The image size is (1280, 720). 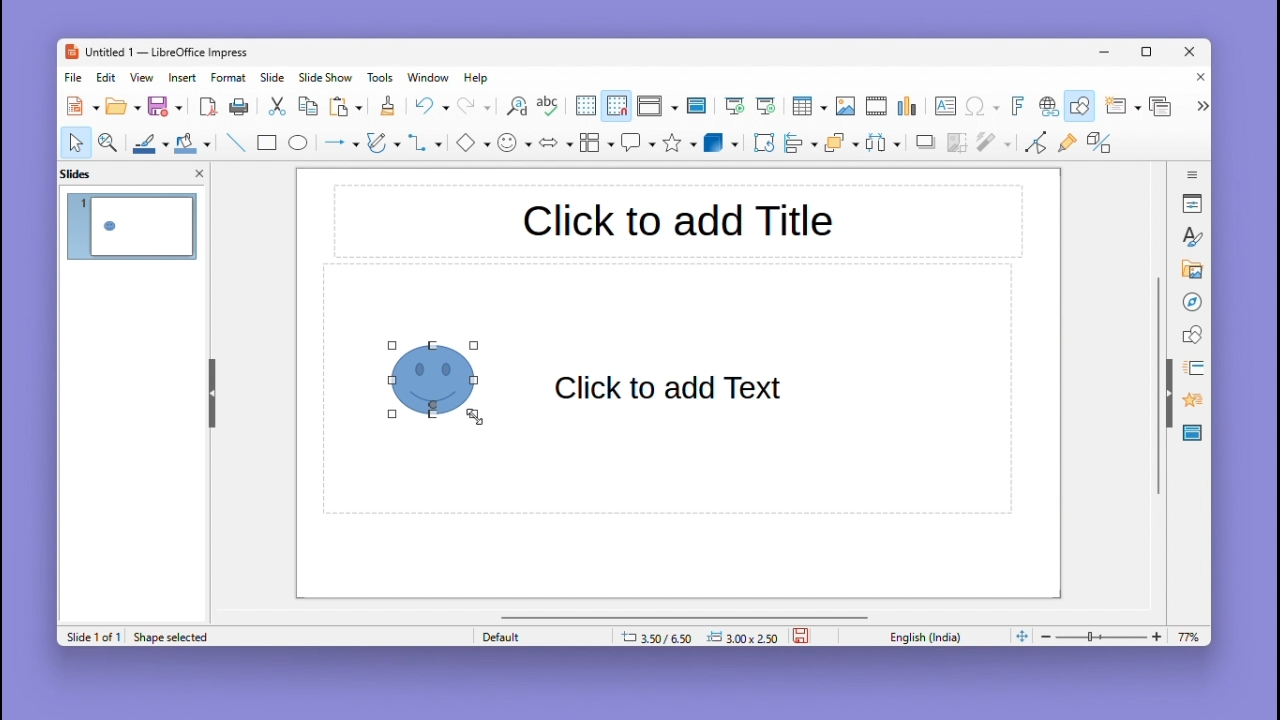 What do you see at coordinates (584, 107) in the screenshot?
I see `display grid` at bounding box center [584, 107].